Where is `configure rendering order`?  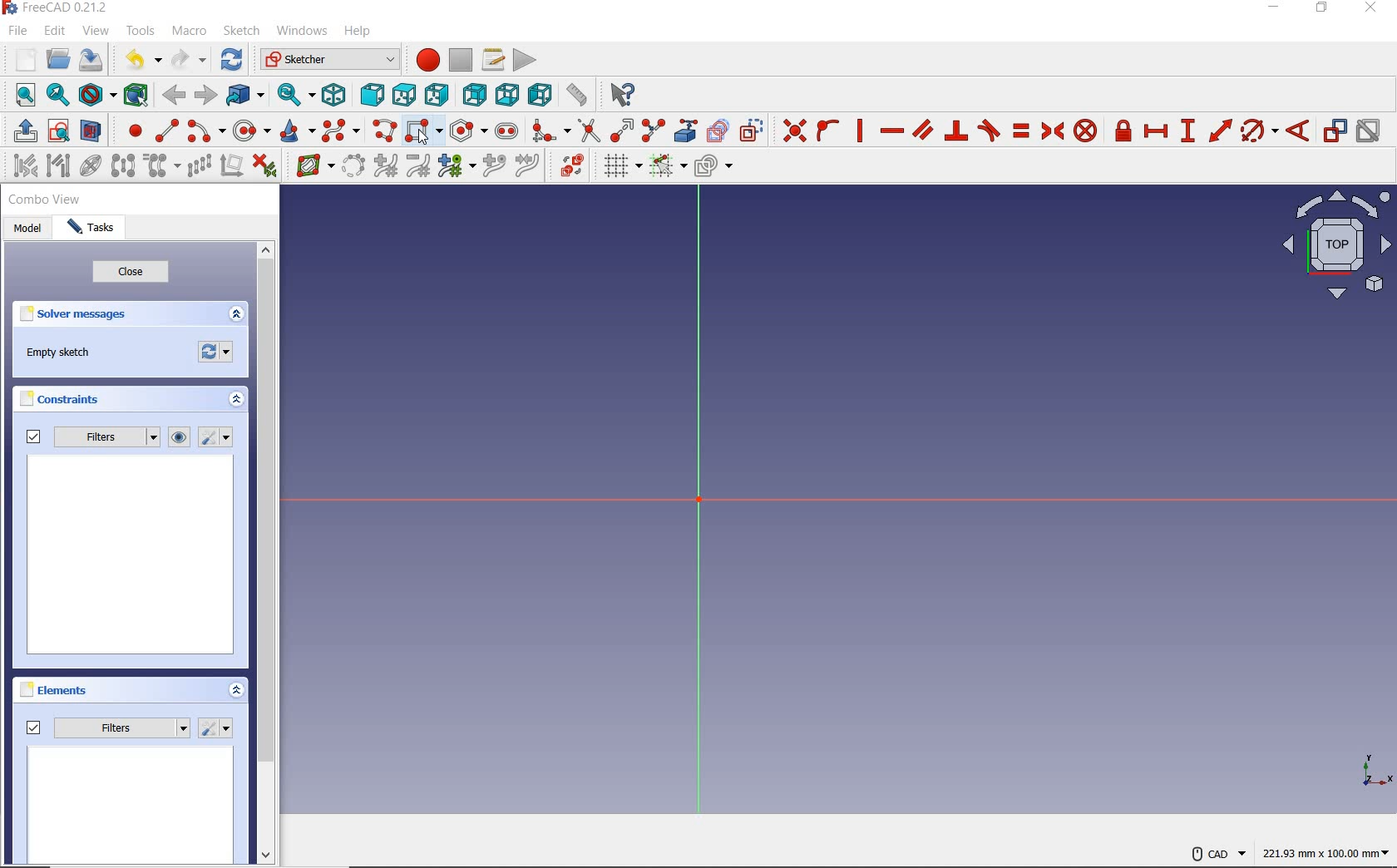
configure rendering order is located at coordinates (717, 169).